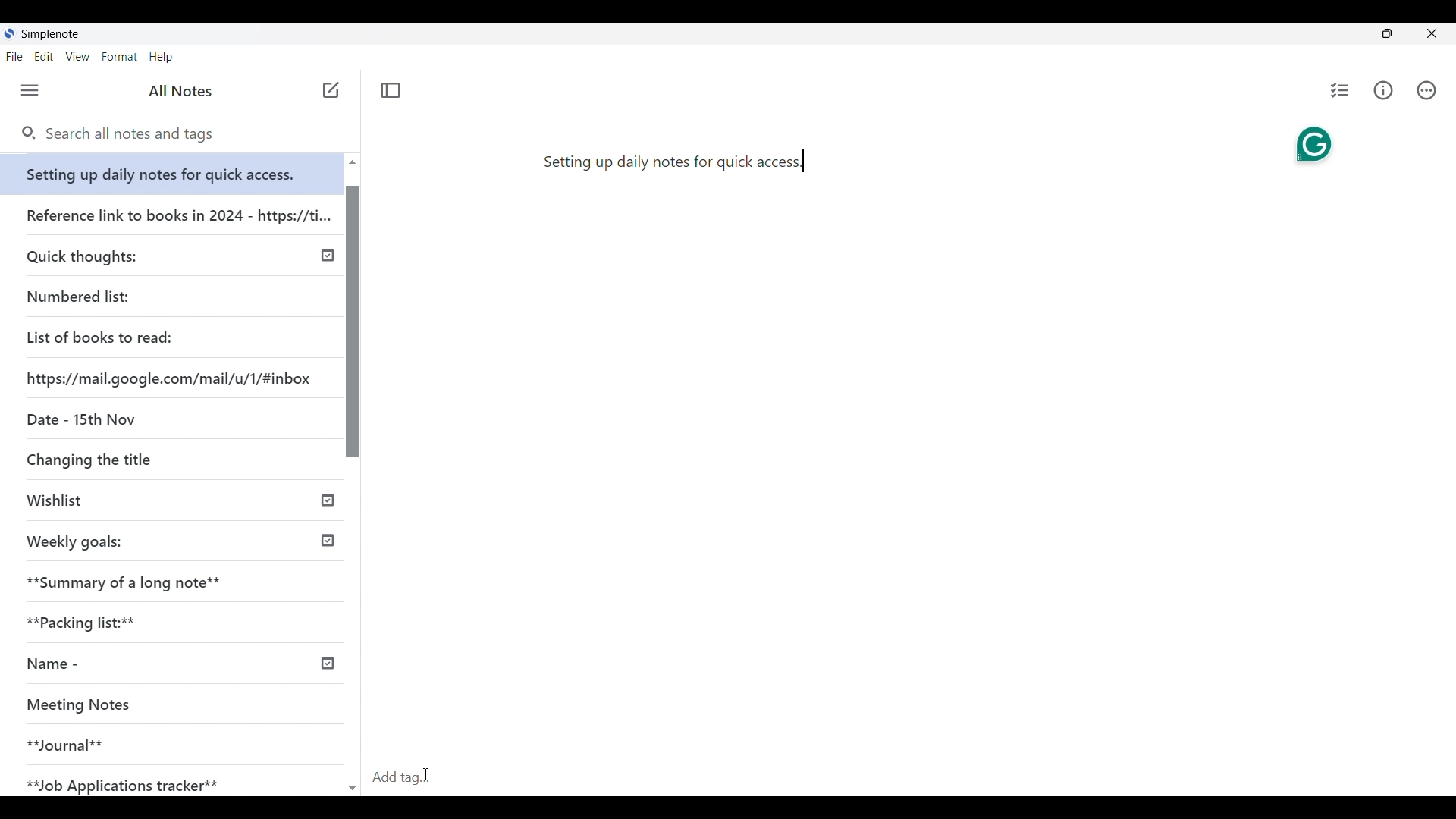 This screenshot has height=819, width=1456. I want to click on toggle screen, so click(1387, 33).